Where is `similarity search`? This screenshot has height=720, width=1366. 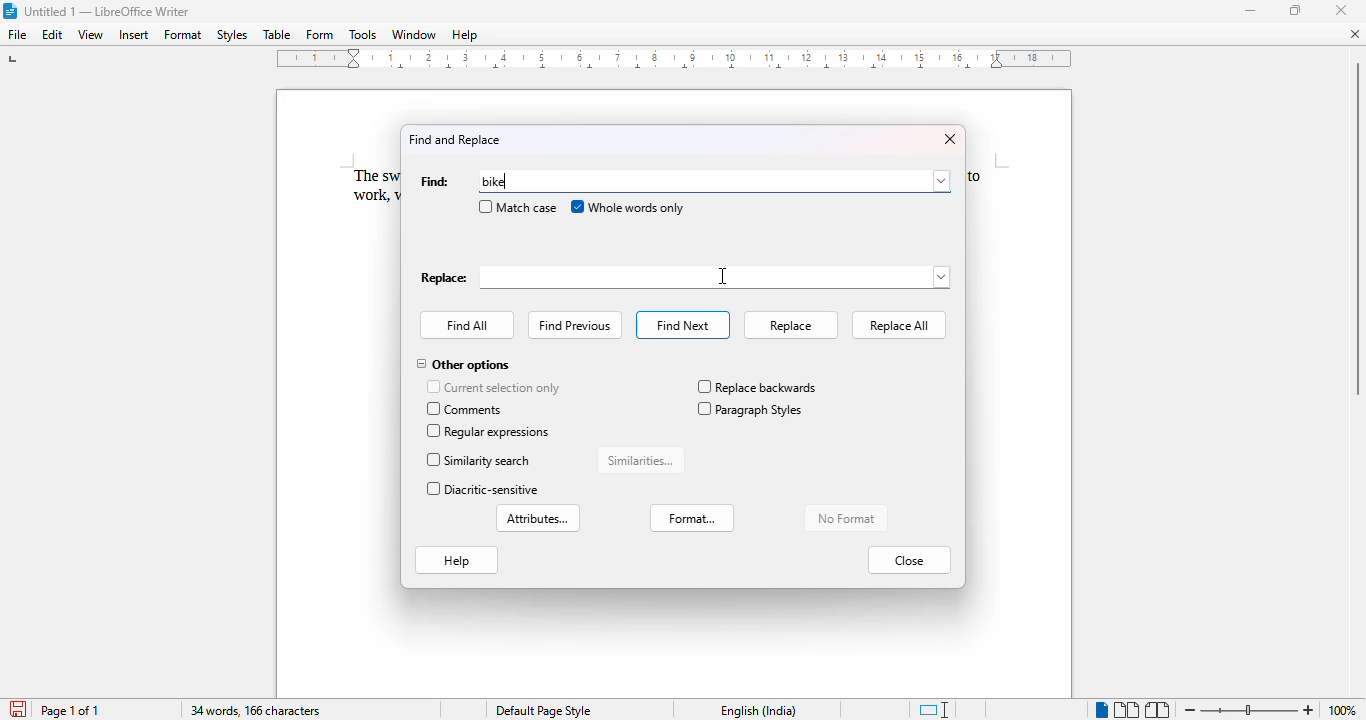 similarity search is located at coordinates (481, 460).